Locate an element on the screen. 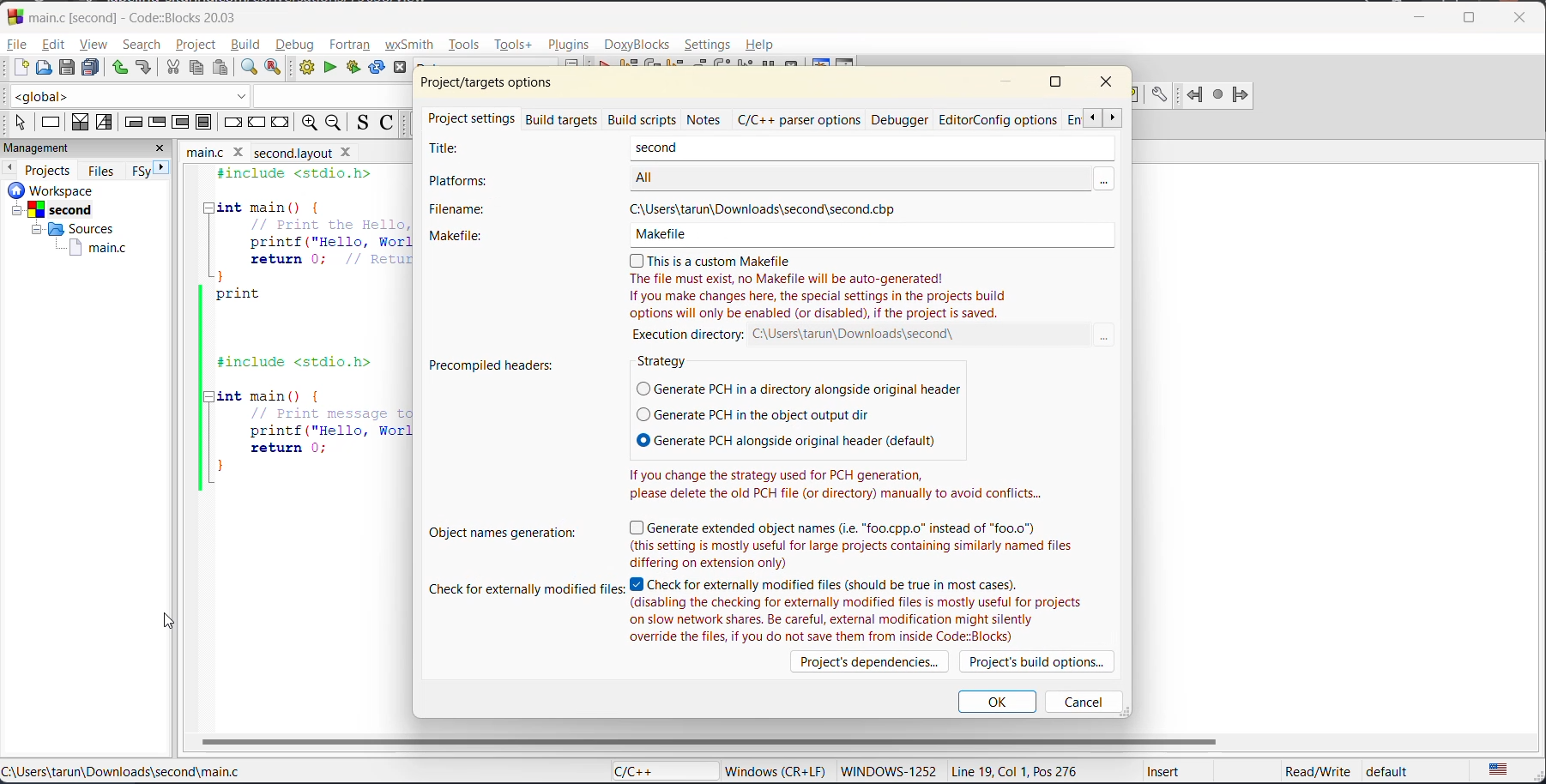 This screenshot has width=1546, height=784. platforms is located at coordinates (770, 178).